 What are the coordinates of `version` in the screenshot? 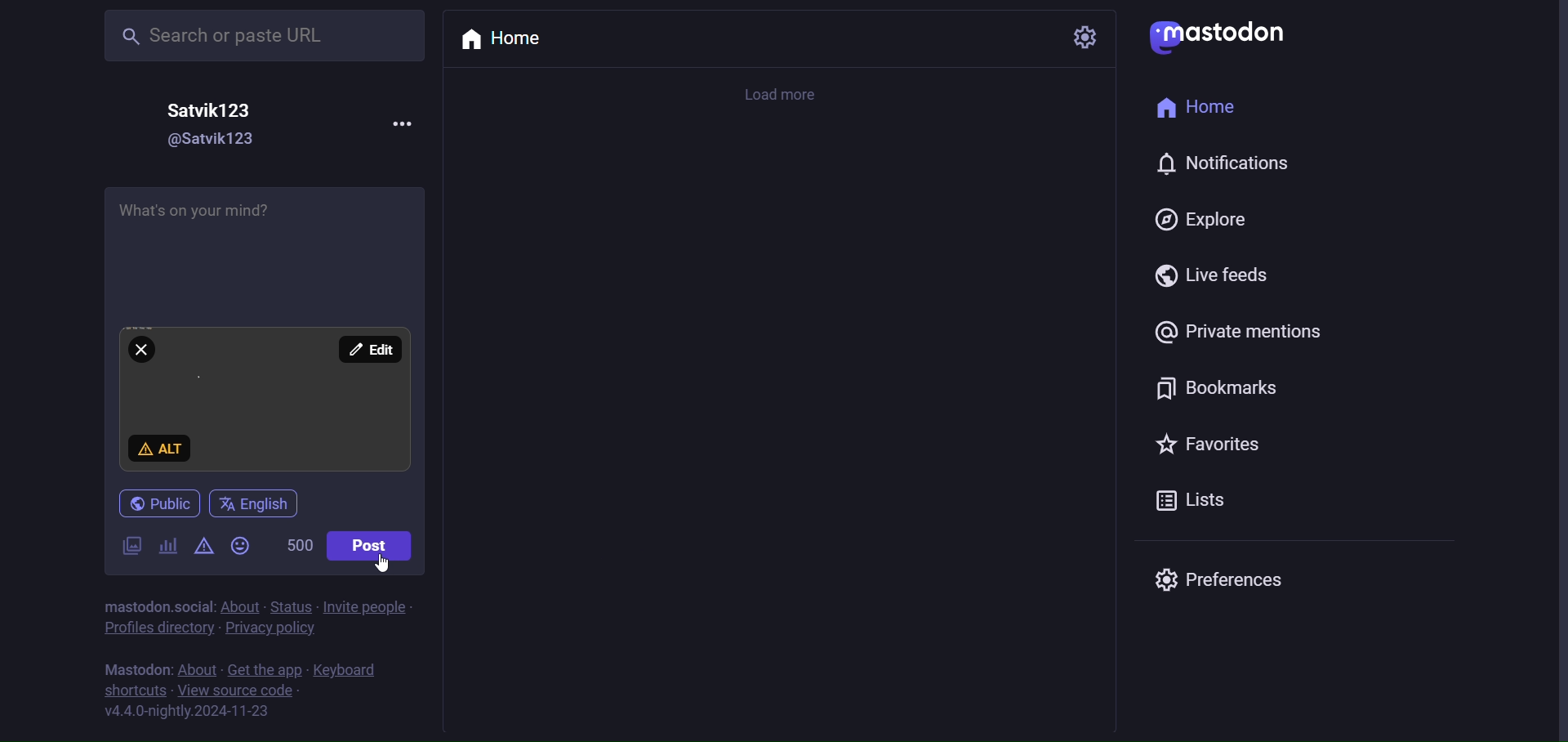 It's located at (186, 713).